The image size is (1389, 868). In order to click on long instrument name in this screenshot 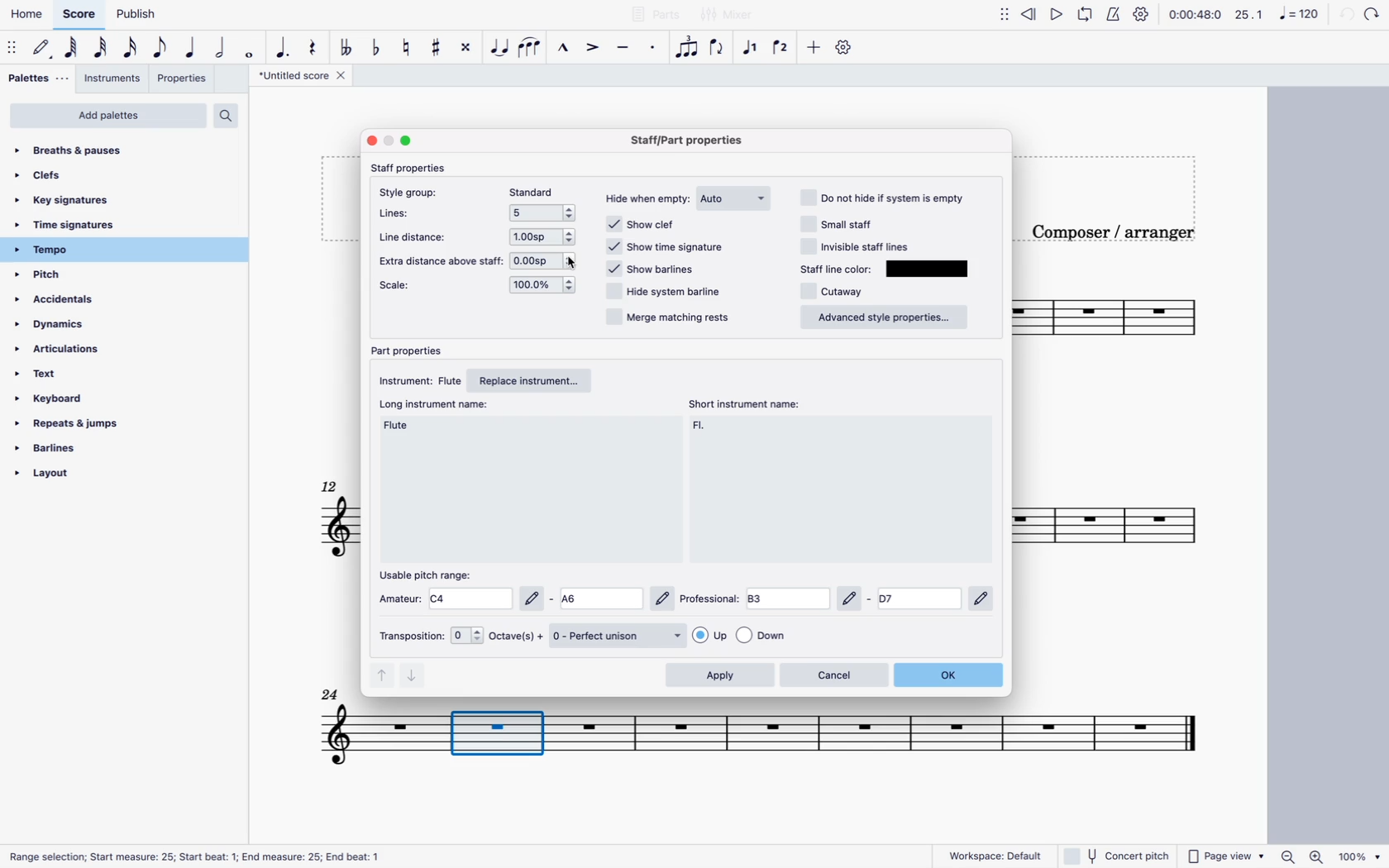, I will do `click(438, 403)`.